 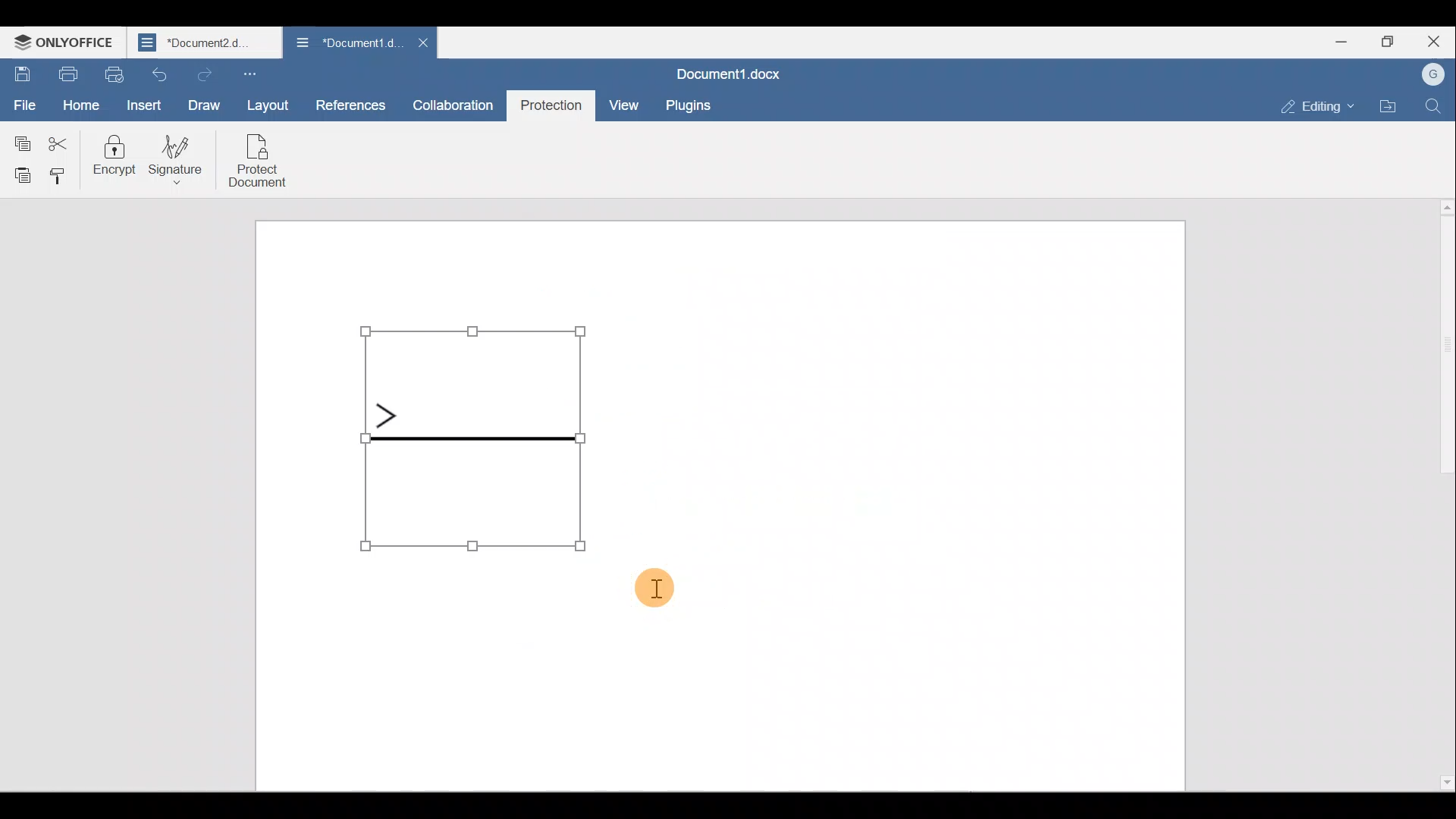 I want to click on Protect document, so click(x=259, y=158).